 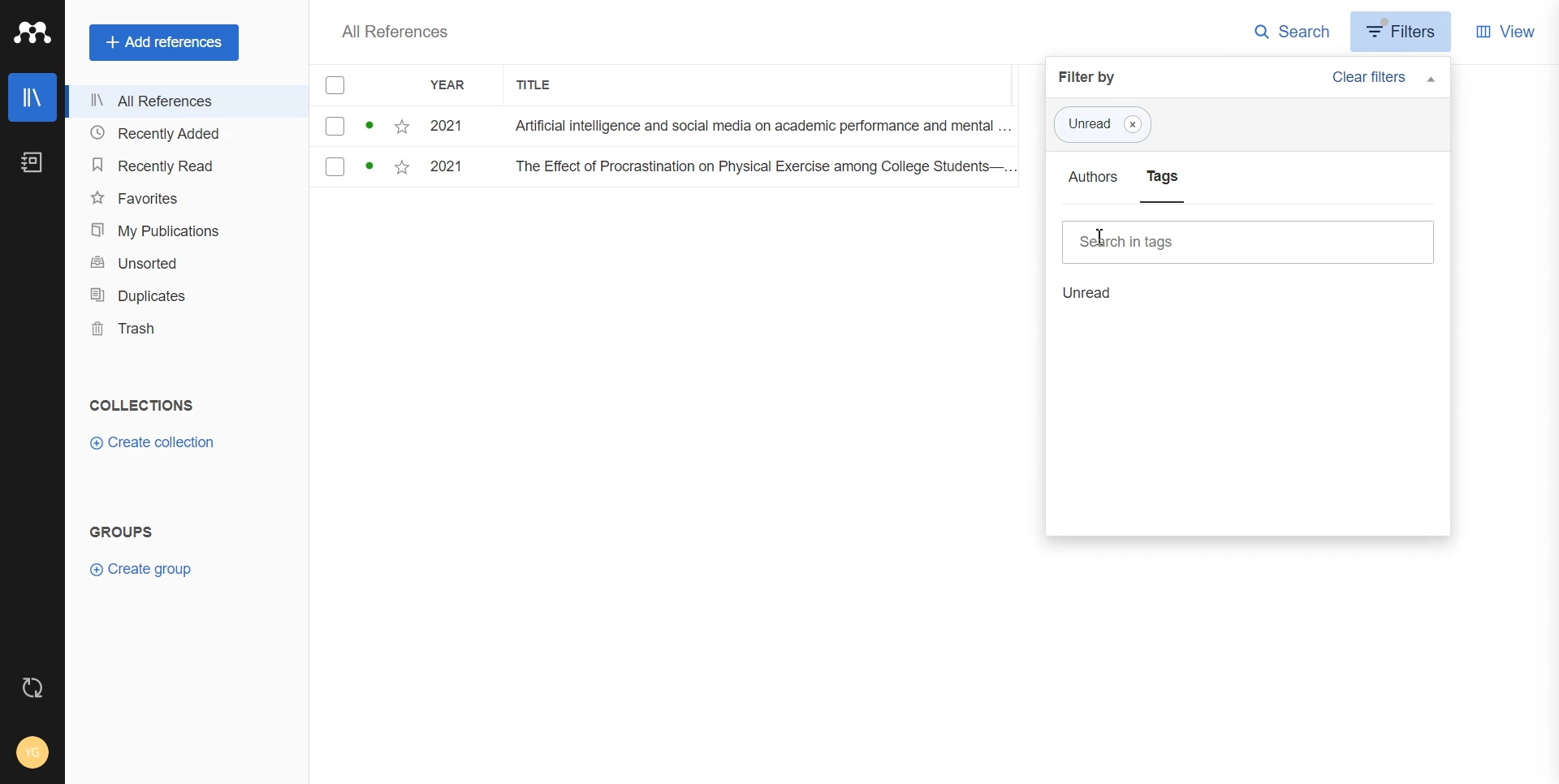 I want to click on Logo, so click(x=32, y=33).